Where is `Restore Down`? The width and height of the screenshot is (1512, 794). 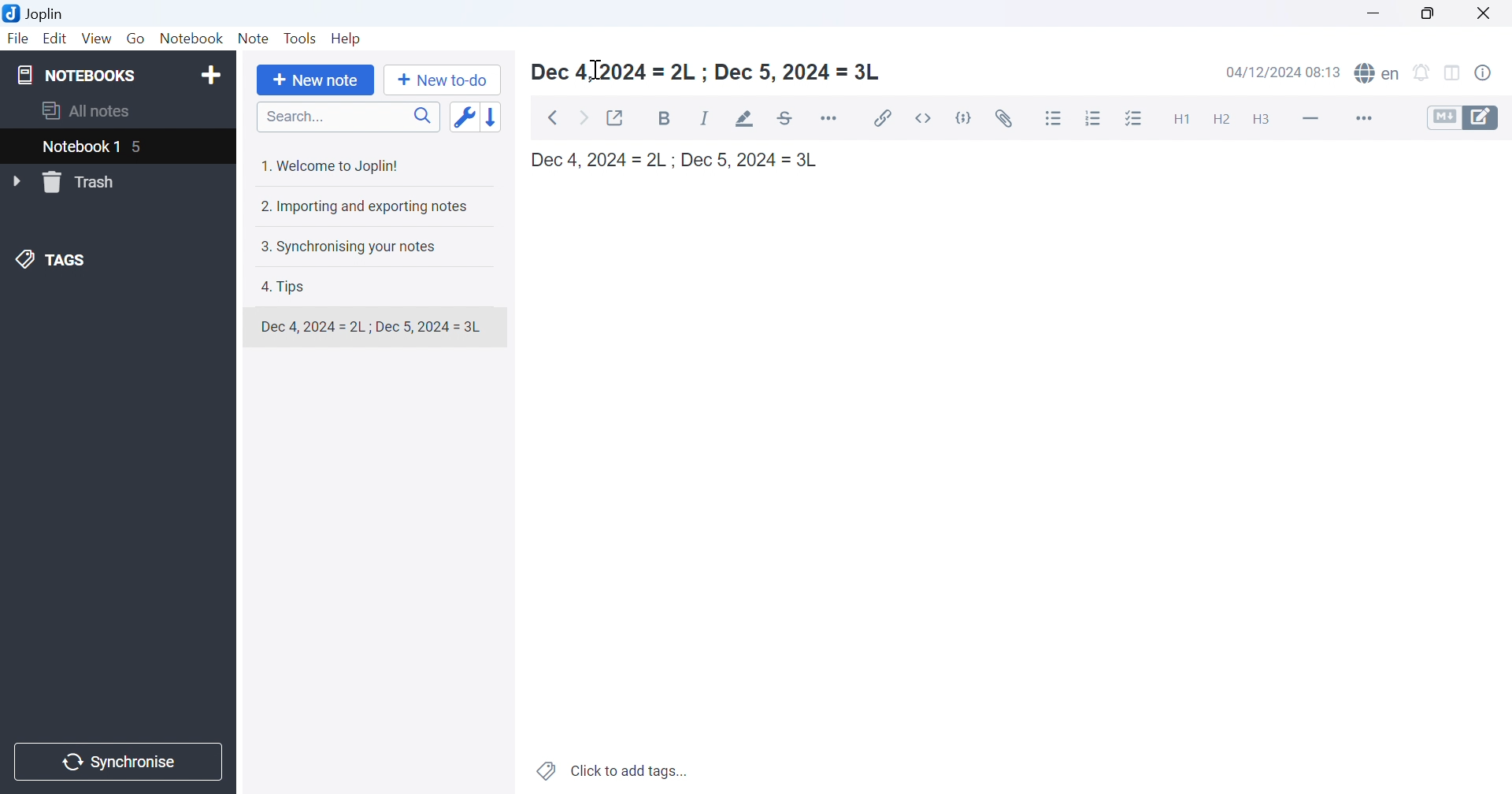
Restore Down is located at coordinates (1435, 12).